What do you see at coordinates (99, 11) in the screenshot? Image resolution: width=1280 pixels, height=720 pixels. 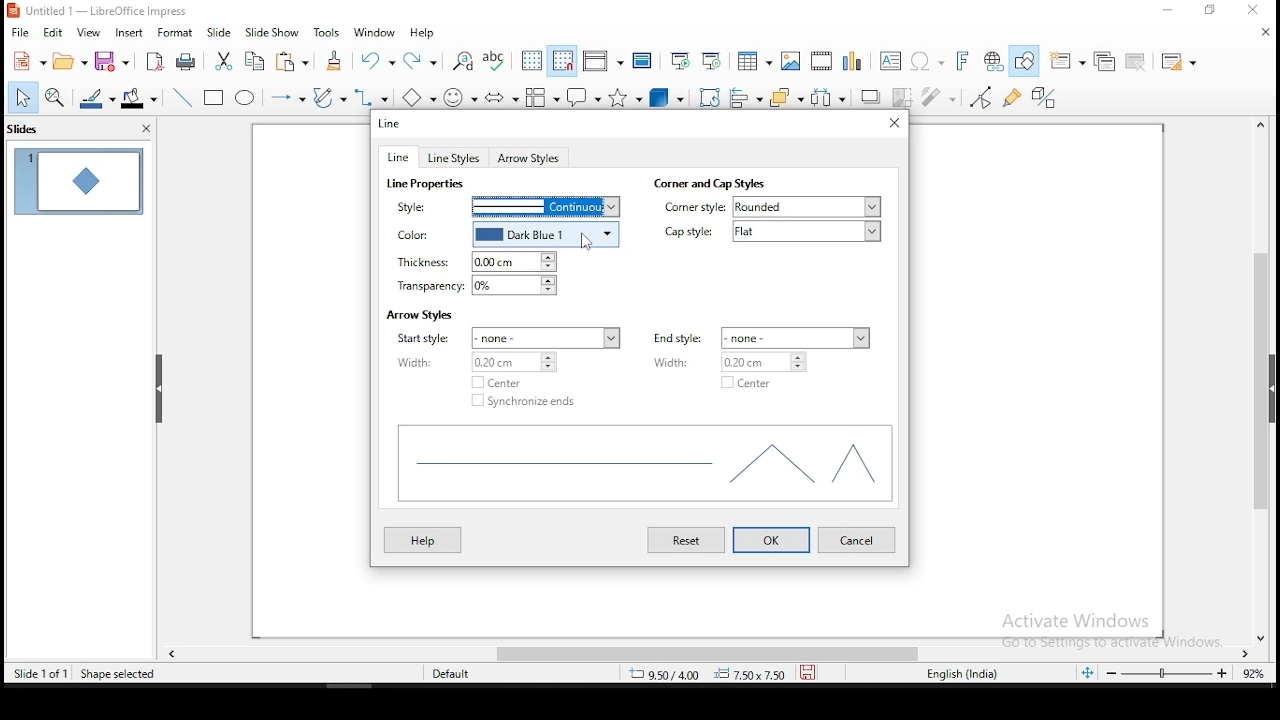 I see `icon and filename` at bounding box center [99, 11].